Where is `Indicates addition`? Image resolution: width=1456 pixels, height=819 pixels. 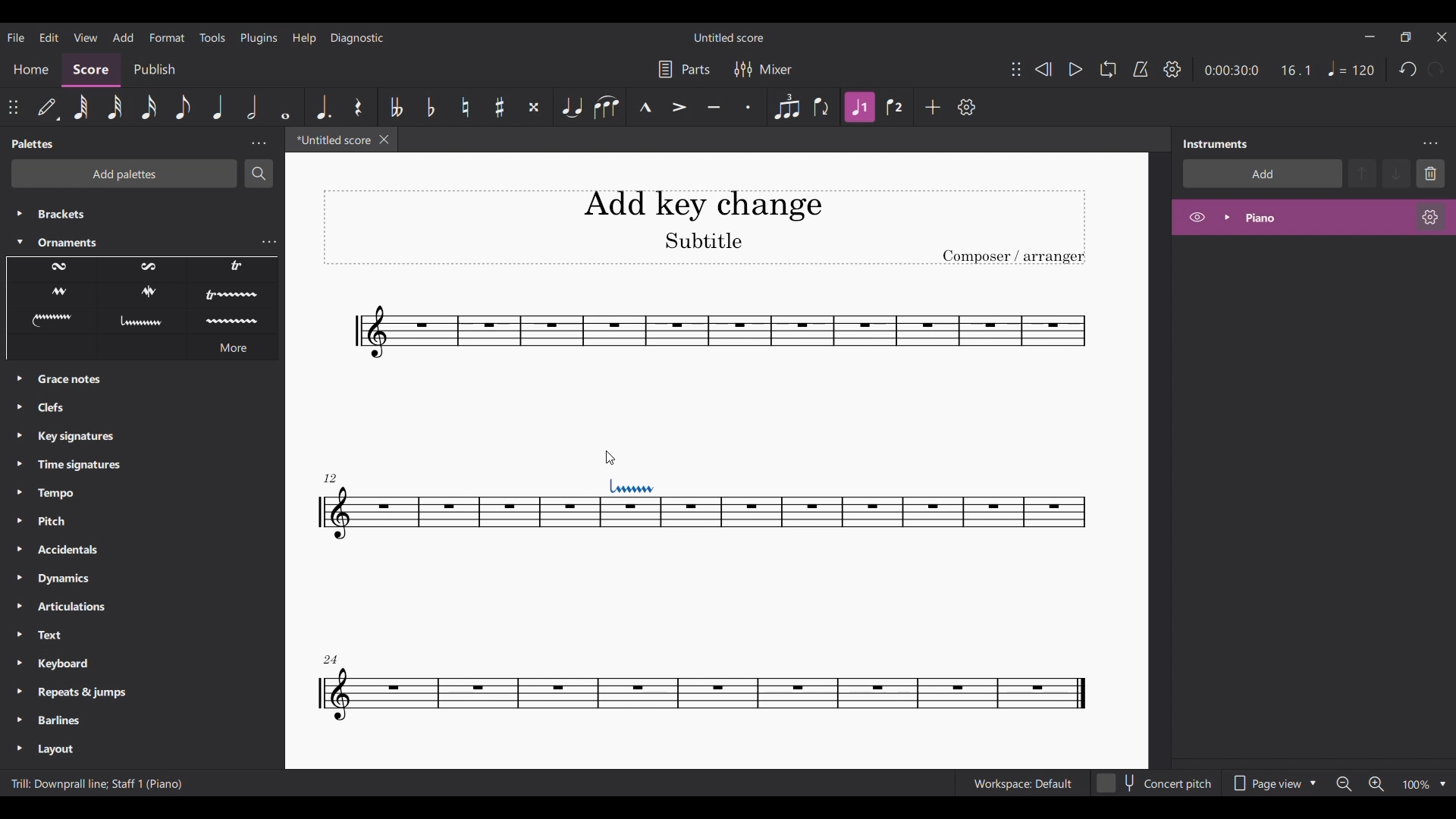
Indicates addition is located at coordinates (618, 469).